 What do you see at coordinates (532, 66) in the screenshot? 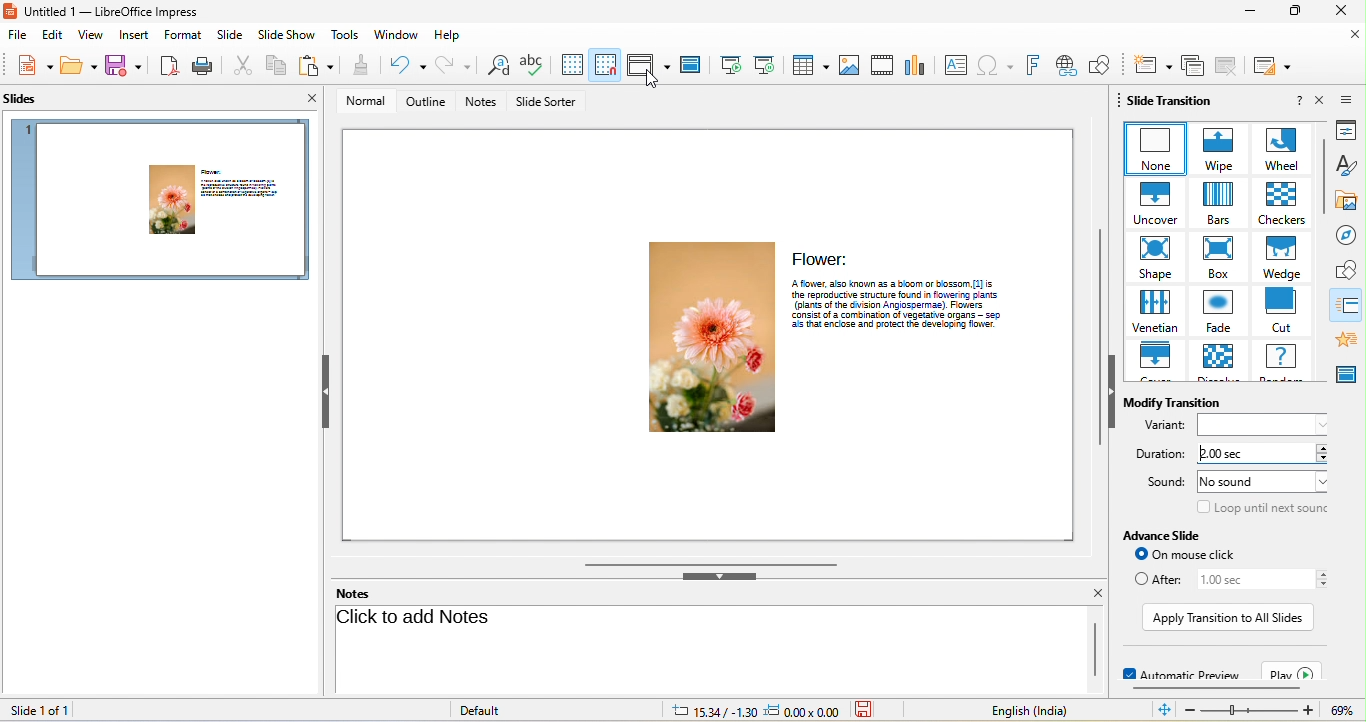
I see `spelling` at bounding box center [532, 66].